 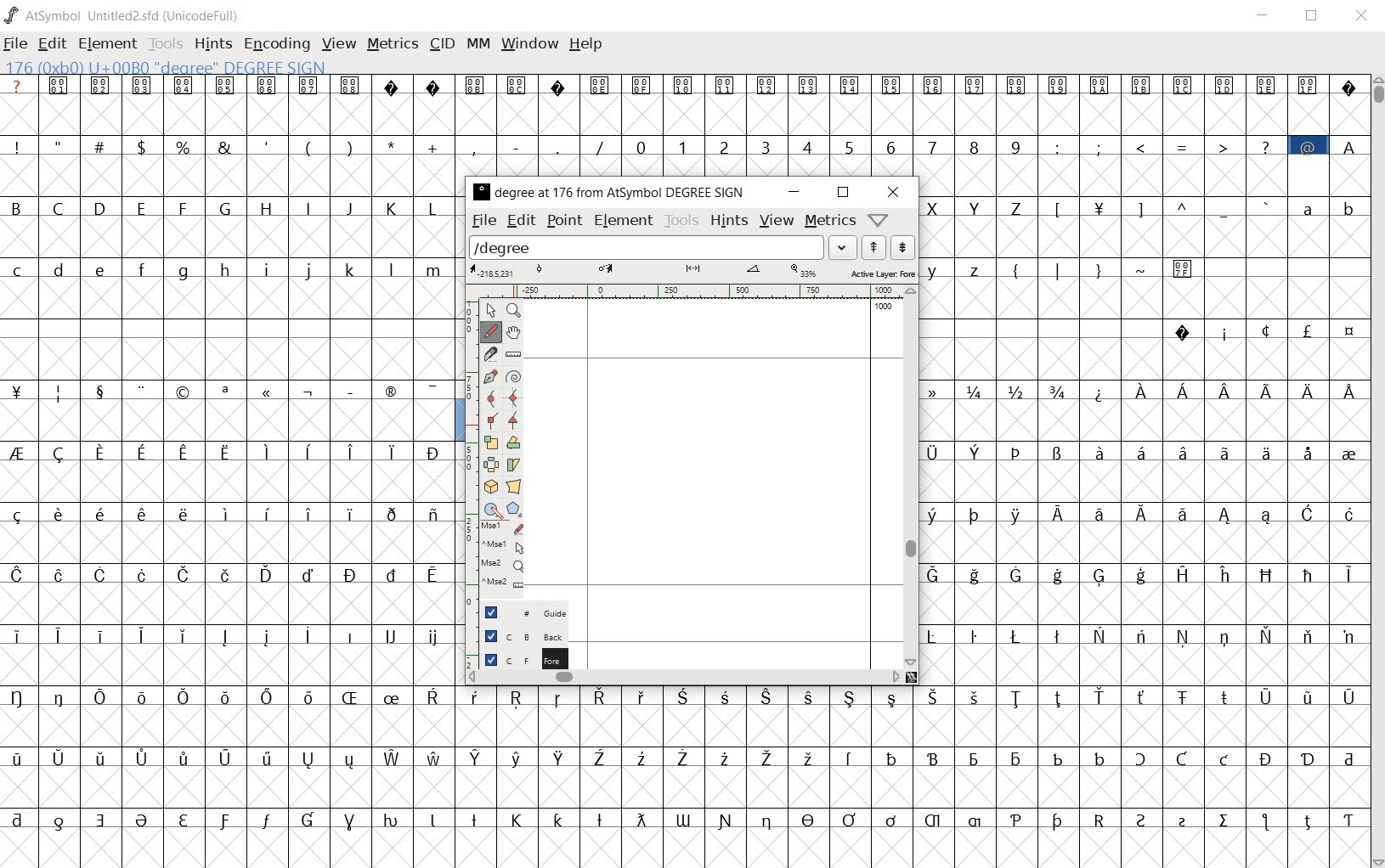 I want to click on edit, so click(x=523, y=222).